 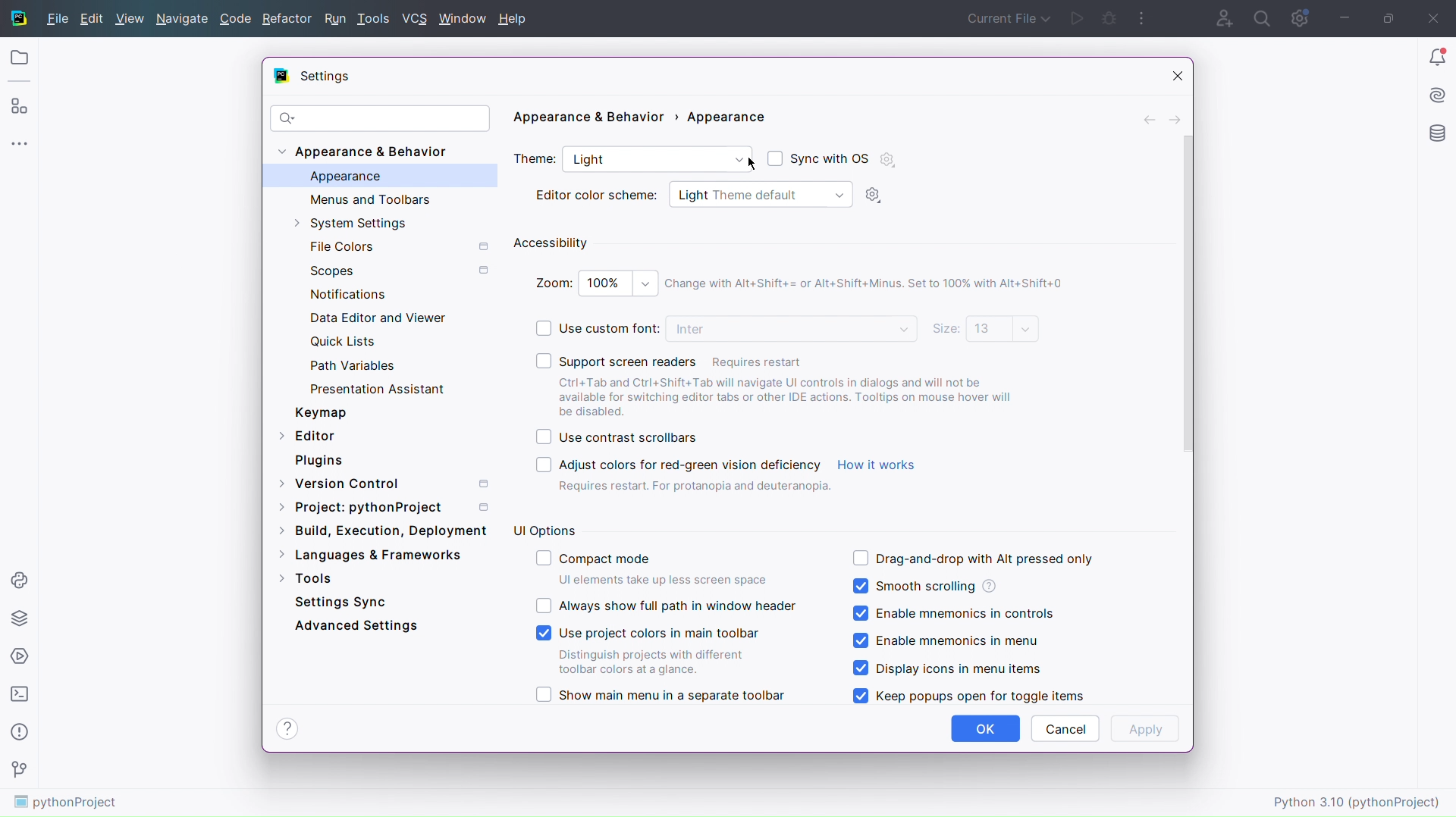 What do you see at coordinates (887, 159) in the screenshot?
I see `Os settings` at bounding box center [887, 159].